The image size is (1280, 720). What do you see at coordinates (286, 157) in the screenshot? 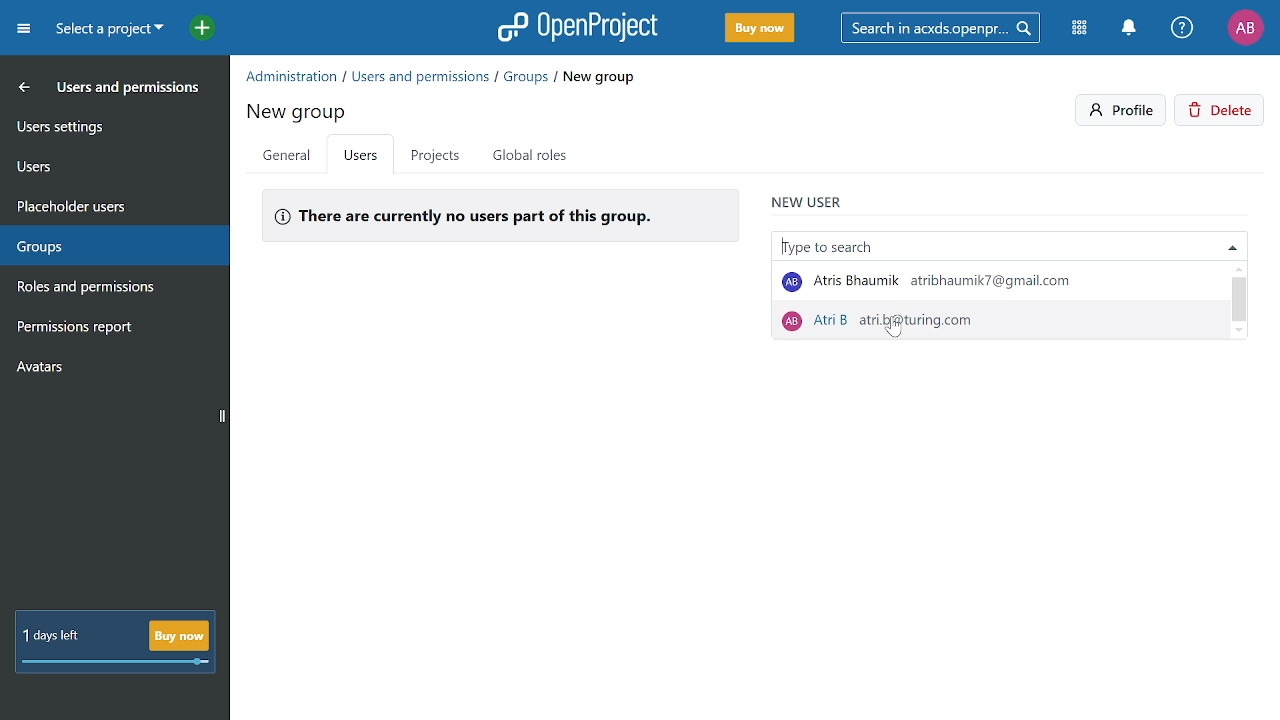
I see `General` at bounding box center [286, 157].